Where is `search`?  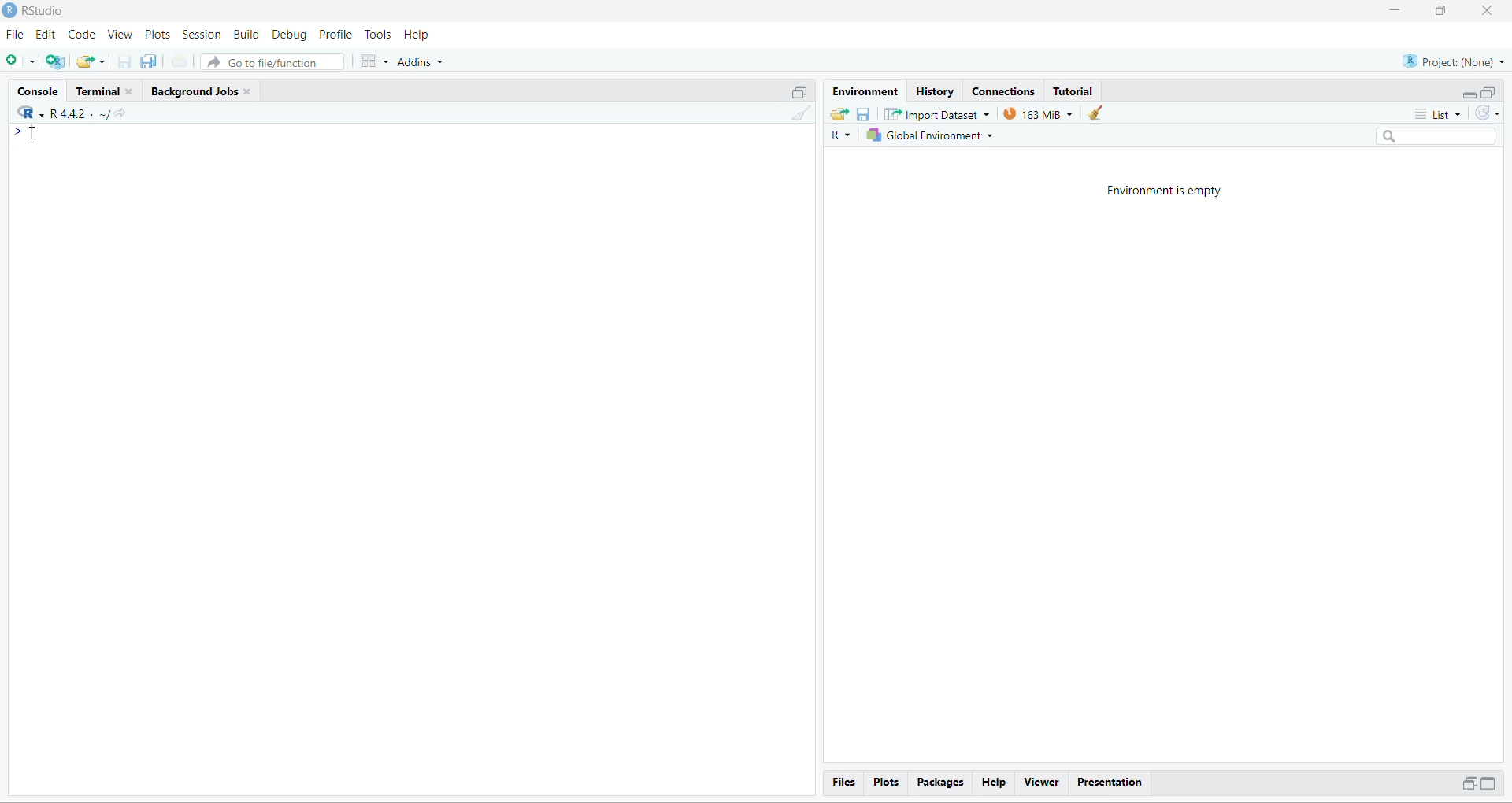 search is located at coordinates (1438, 137).